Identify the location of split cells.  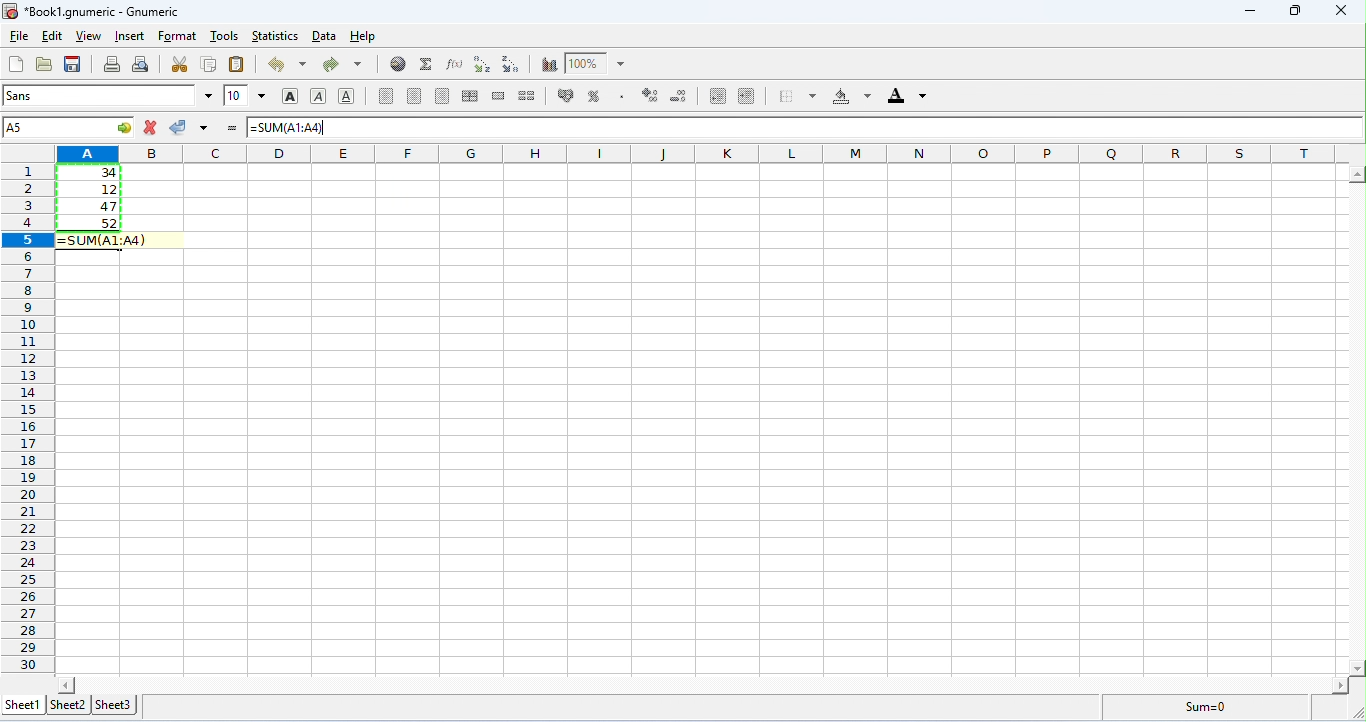
(527, 95).